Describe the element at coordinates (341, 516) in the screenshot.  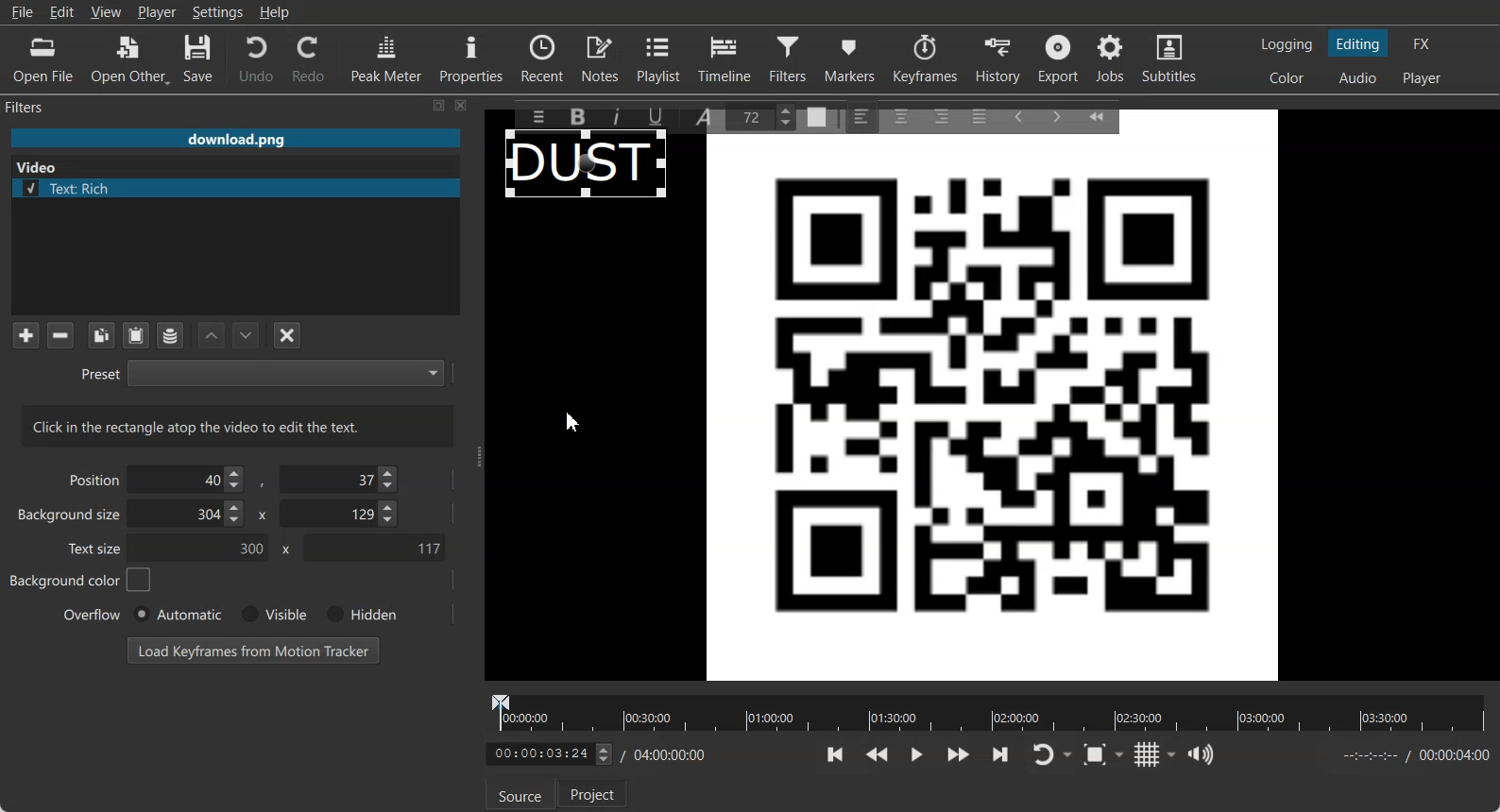
I see `Background size Y- Co-ordinate` at that location.